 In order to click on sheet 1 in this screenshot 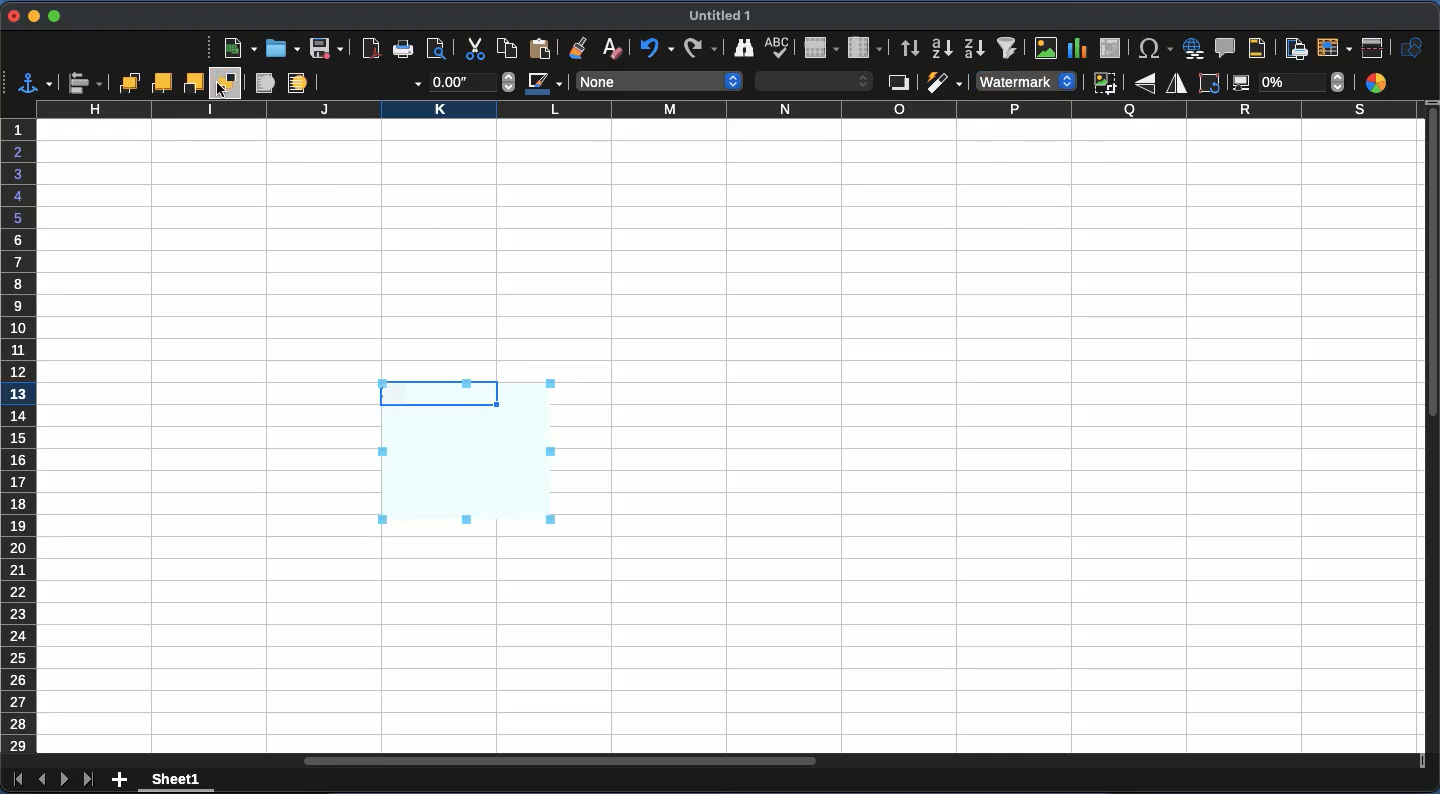, I will do `click(176, 782)`.